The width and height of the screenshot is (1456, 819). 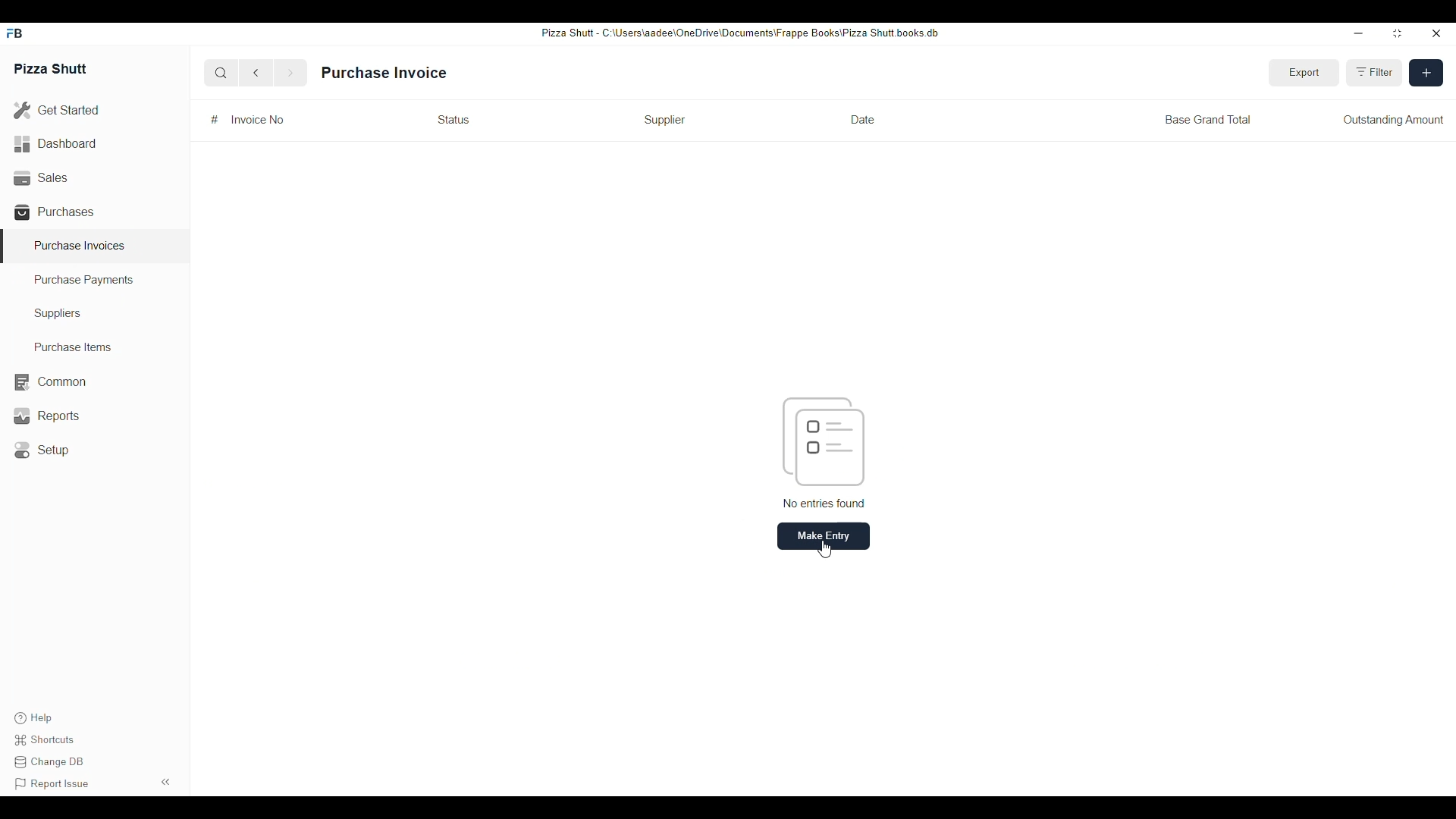 What do you see at coordinates (384, 73) in the screenshot?
I see `Purchase Invoice` at bounding box center [384, 73].